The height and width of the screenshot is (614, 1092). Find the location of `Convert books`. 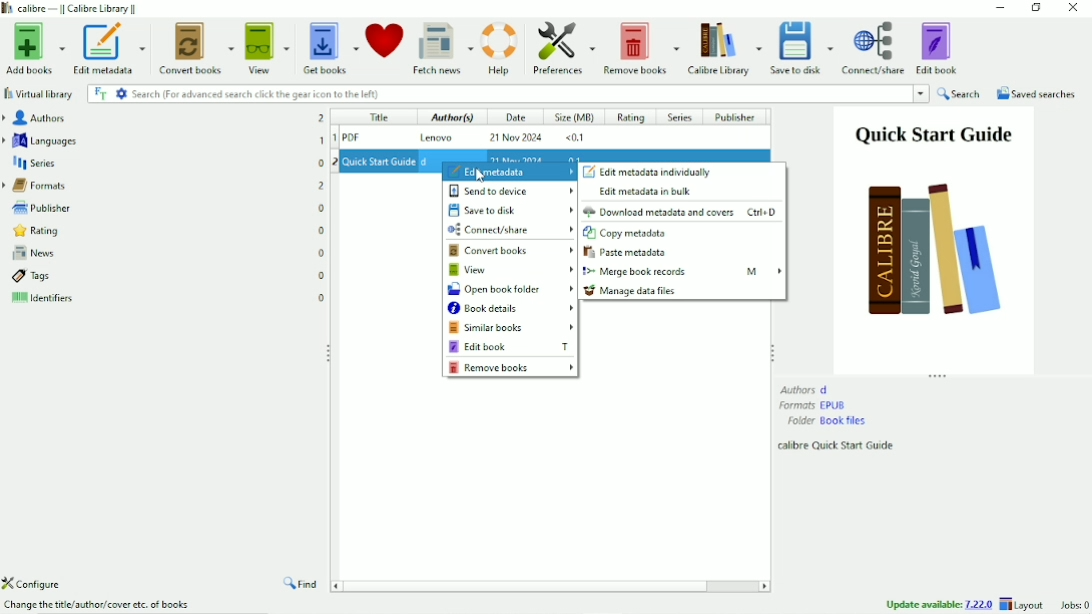

Convert books is located at coordinates (512, 251).